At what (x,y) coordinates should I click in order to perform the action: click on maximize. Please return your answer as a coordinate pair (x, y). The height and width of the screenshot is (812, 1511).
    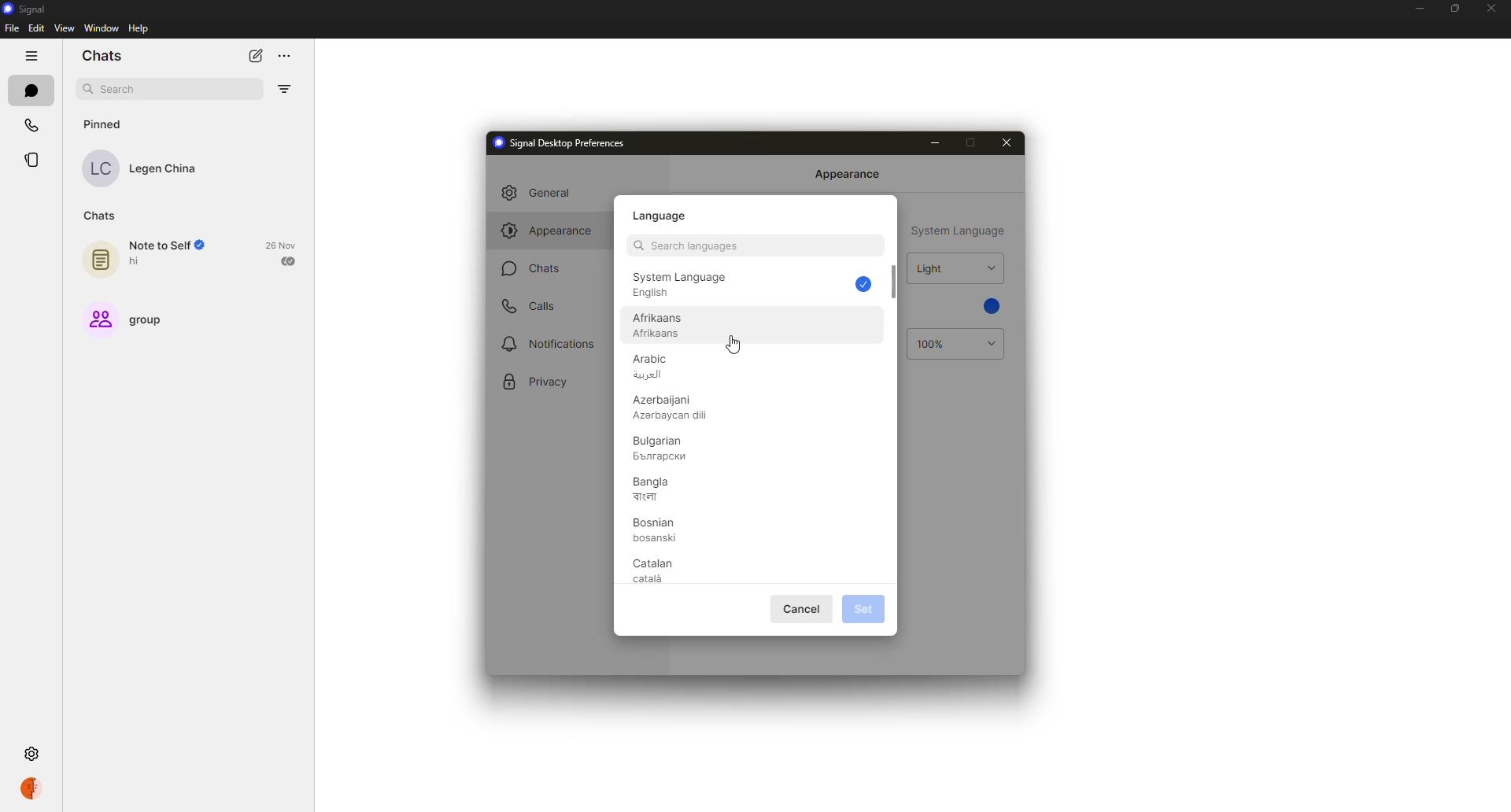
    Looking at the image, I should click on (1452, 9).